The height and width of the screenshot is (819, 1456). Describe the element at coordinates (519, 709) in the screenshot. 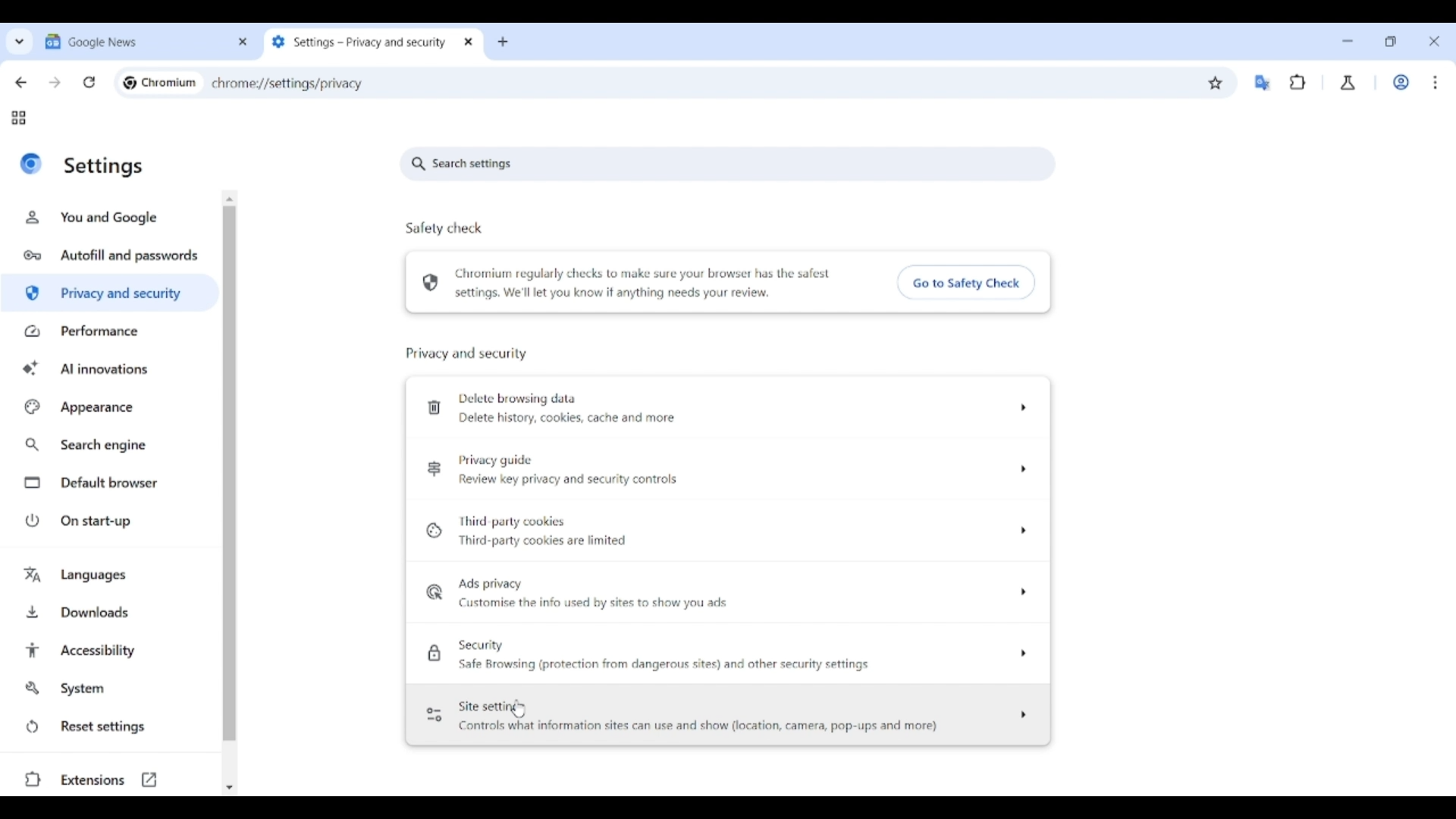

I see `Cursor clicking on site settings` at that location.